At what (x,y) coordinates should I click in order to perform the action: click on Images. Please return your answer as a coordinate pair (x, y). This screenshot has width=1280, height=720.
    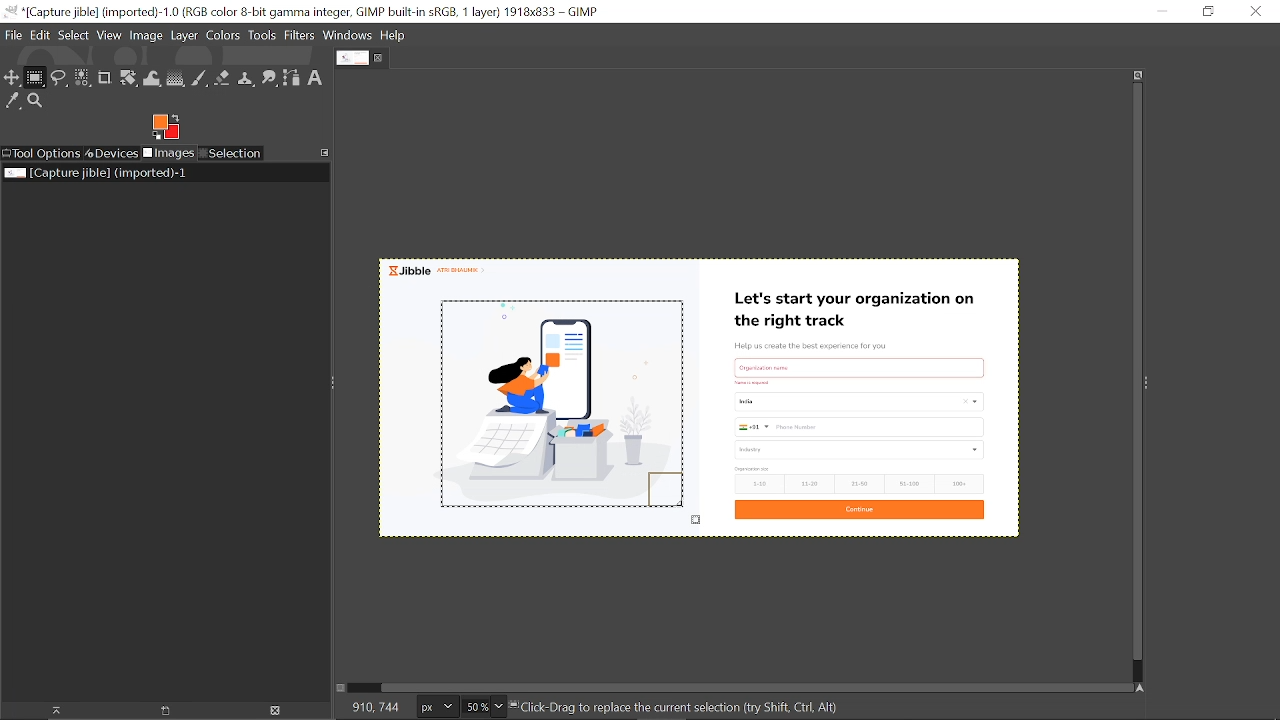
    Looking at the image, I should click on (168, 154).